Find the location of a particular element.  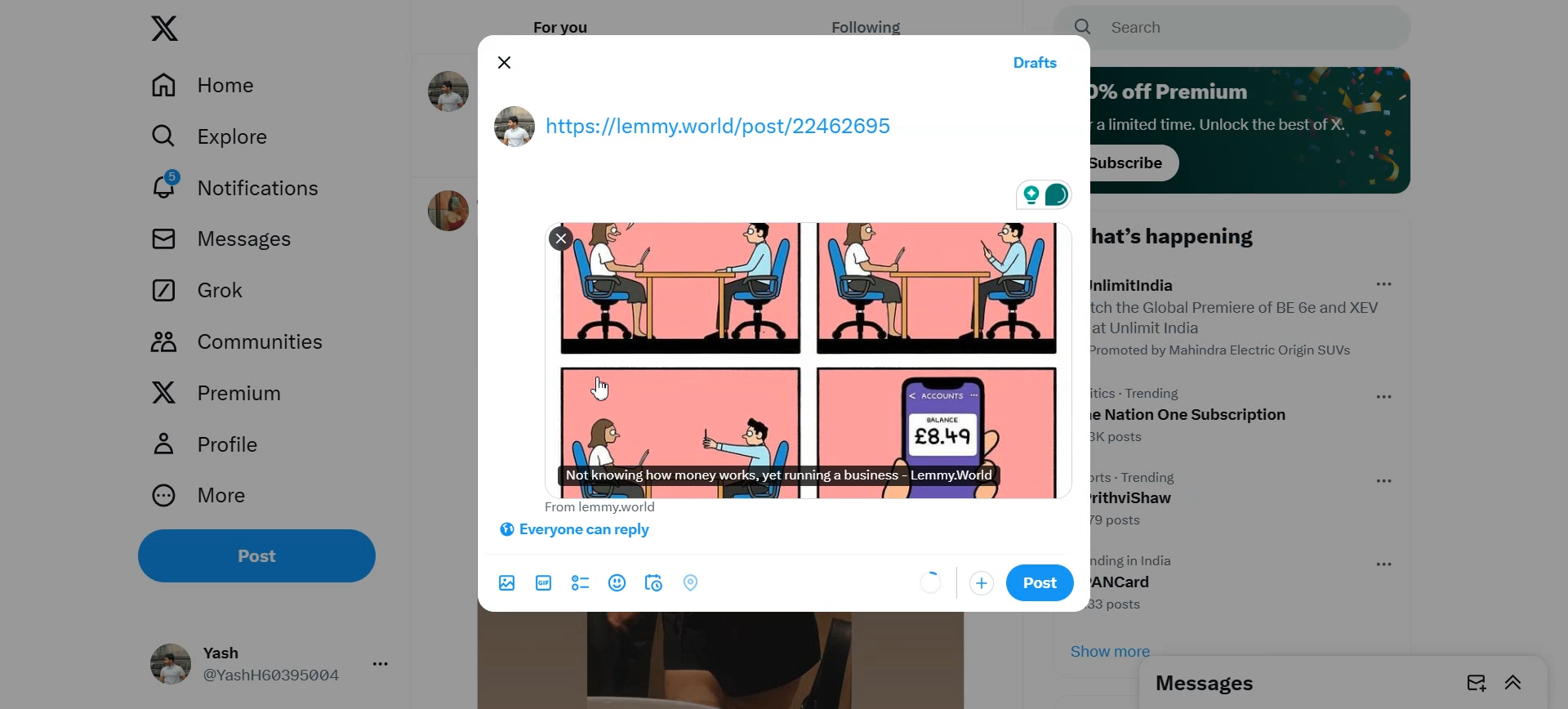

profile  is located at coordinates (212, 445).